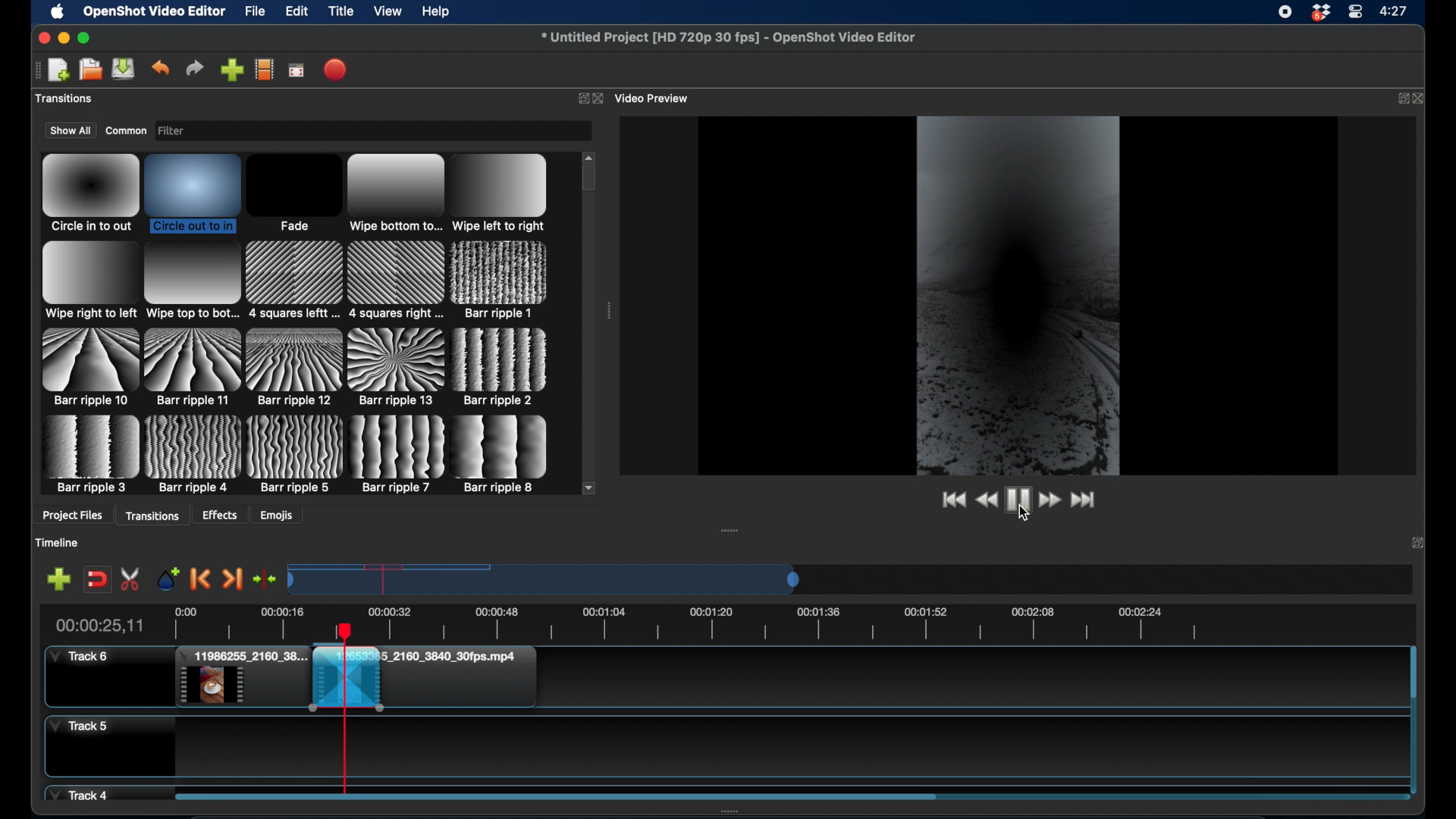 Image resolution: width=1456 pixels, height=819 pixels. I want to click on scroll down arrow, so click(589, 487).